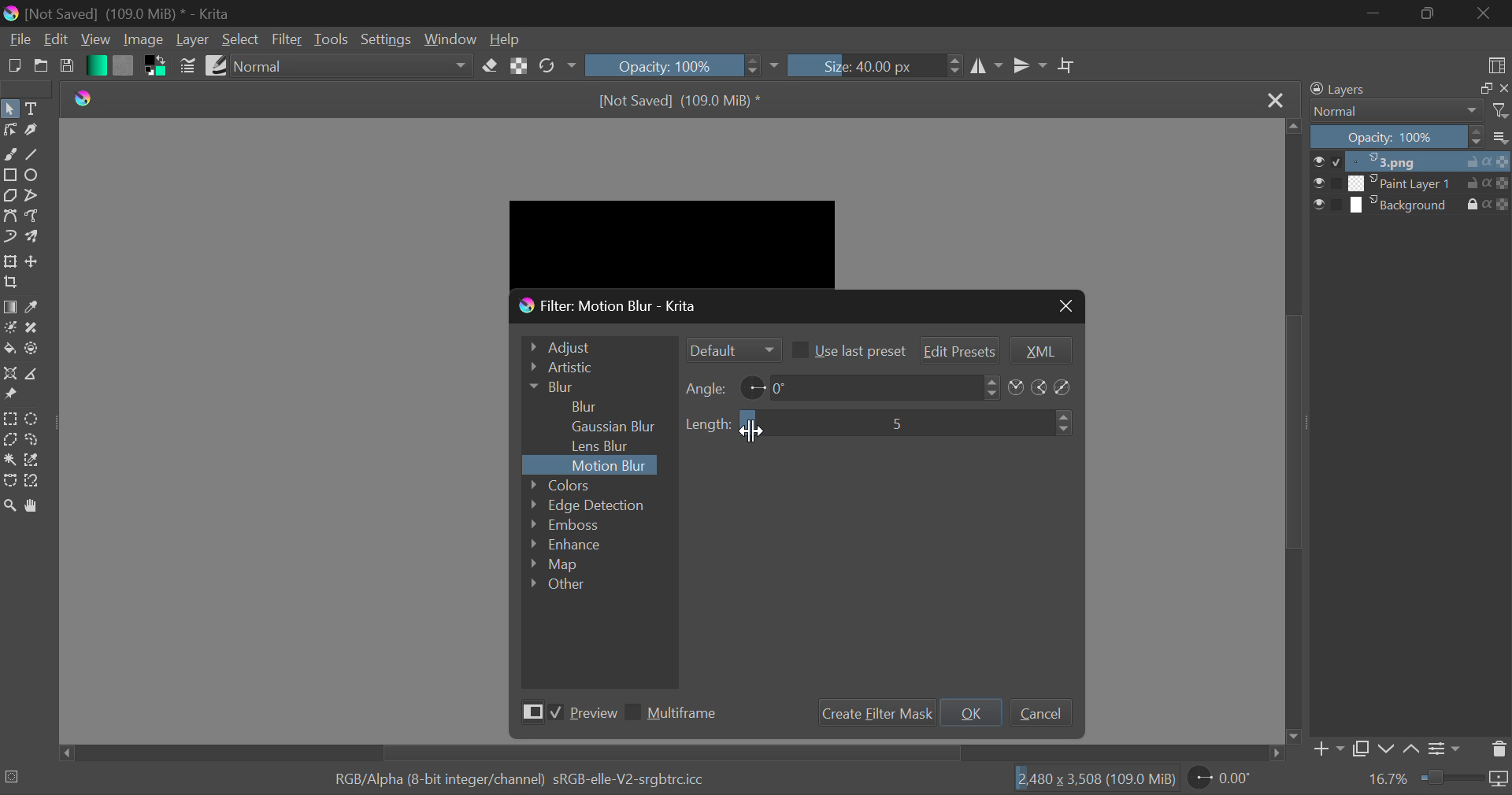  Describe the element at coordinates (1029, 65) in the screenshot. I see `Horizontal Mirror Flip` at that location.